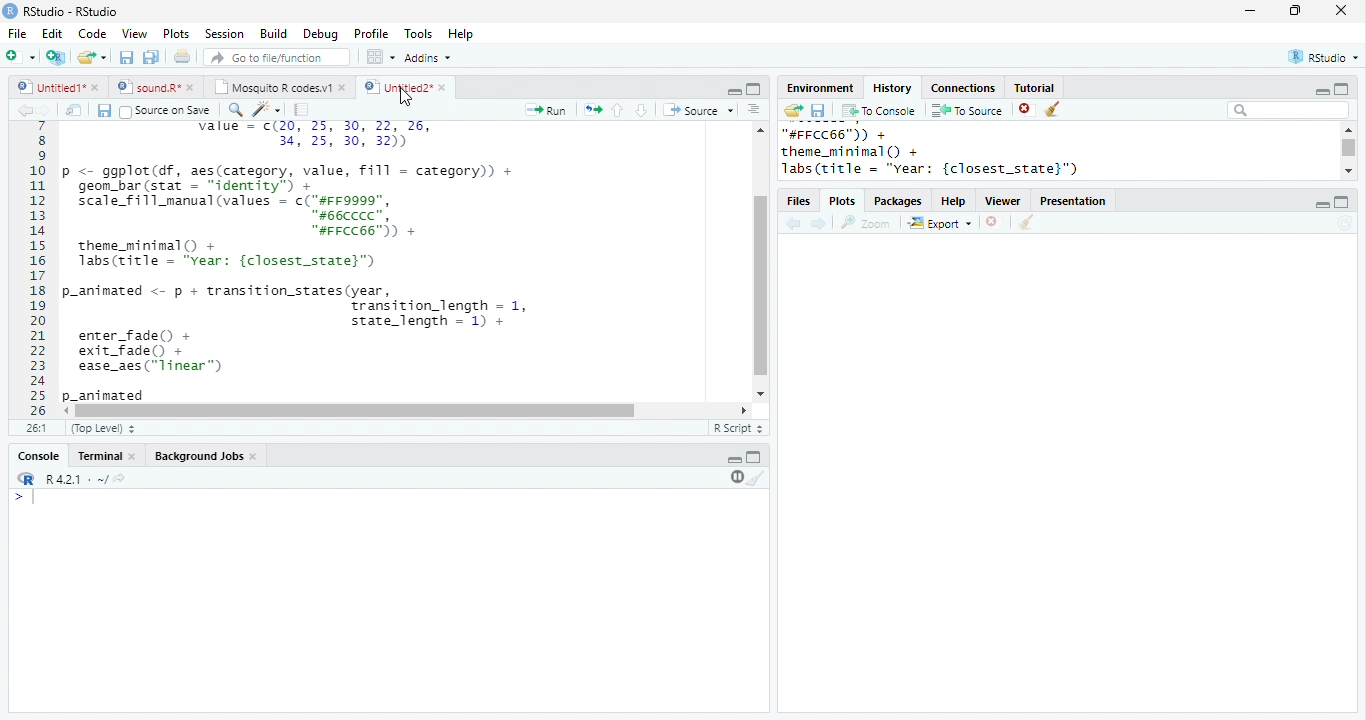 The image size is (1366, 720). I want to click on Viewer, so click(1003, 201).